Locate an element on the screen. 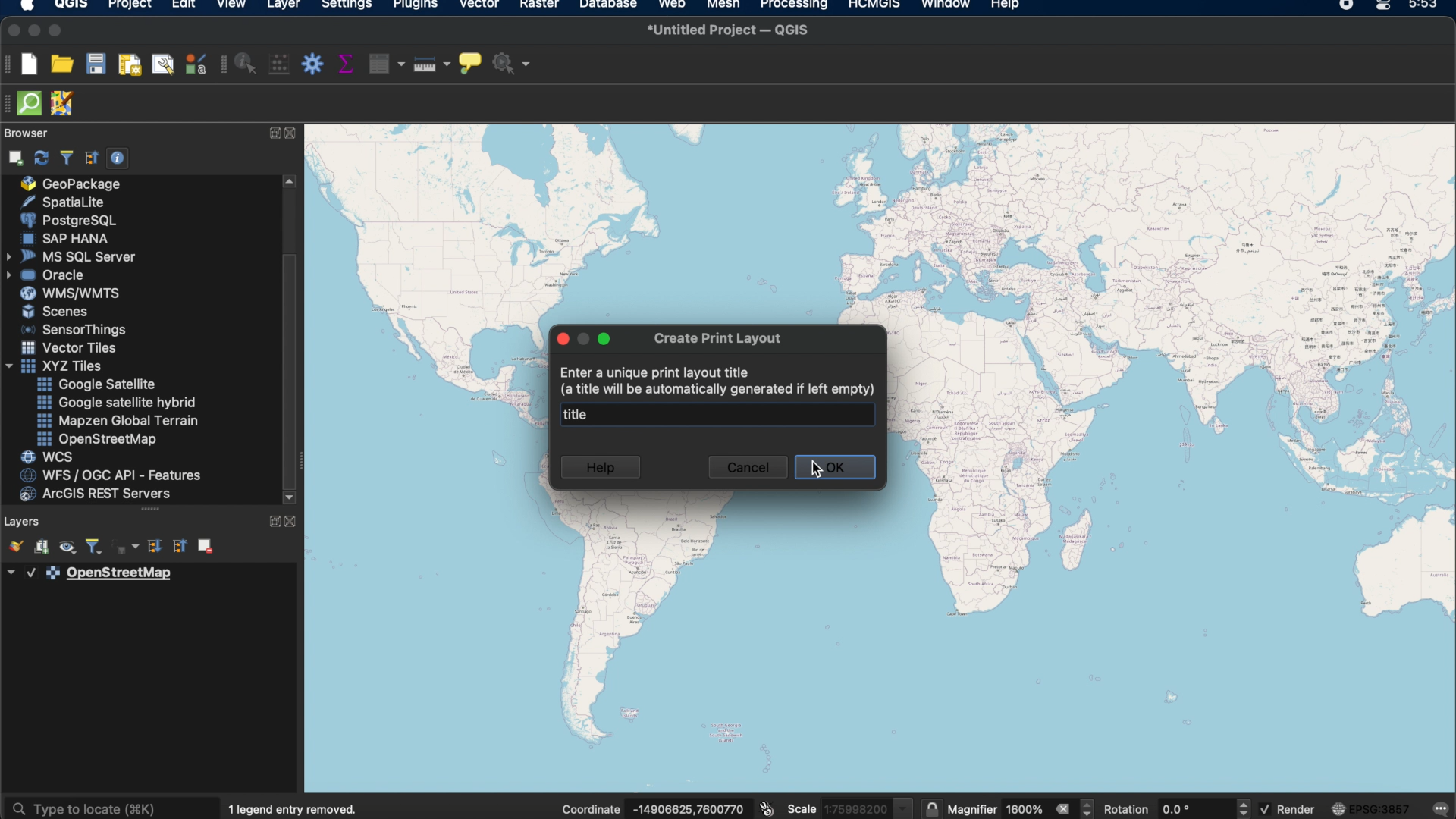  show layout manager is located at coordinates (162, 64).